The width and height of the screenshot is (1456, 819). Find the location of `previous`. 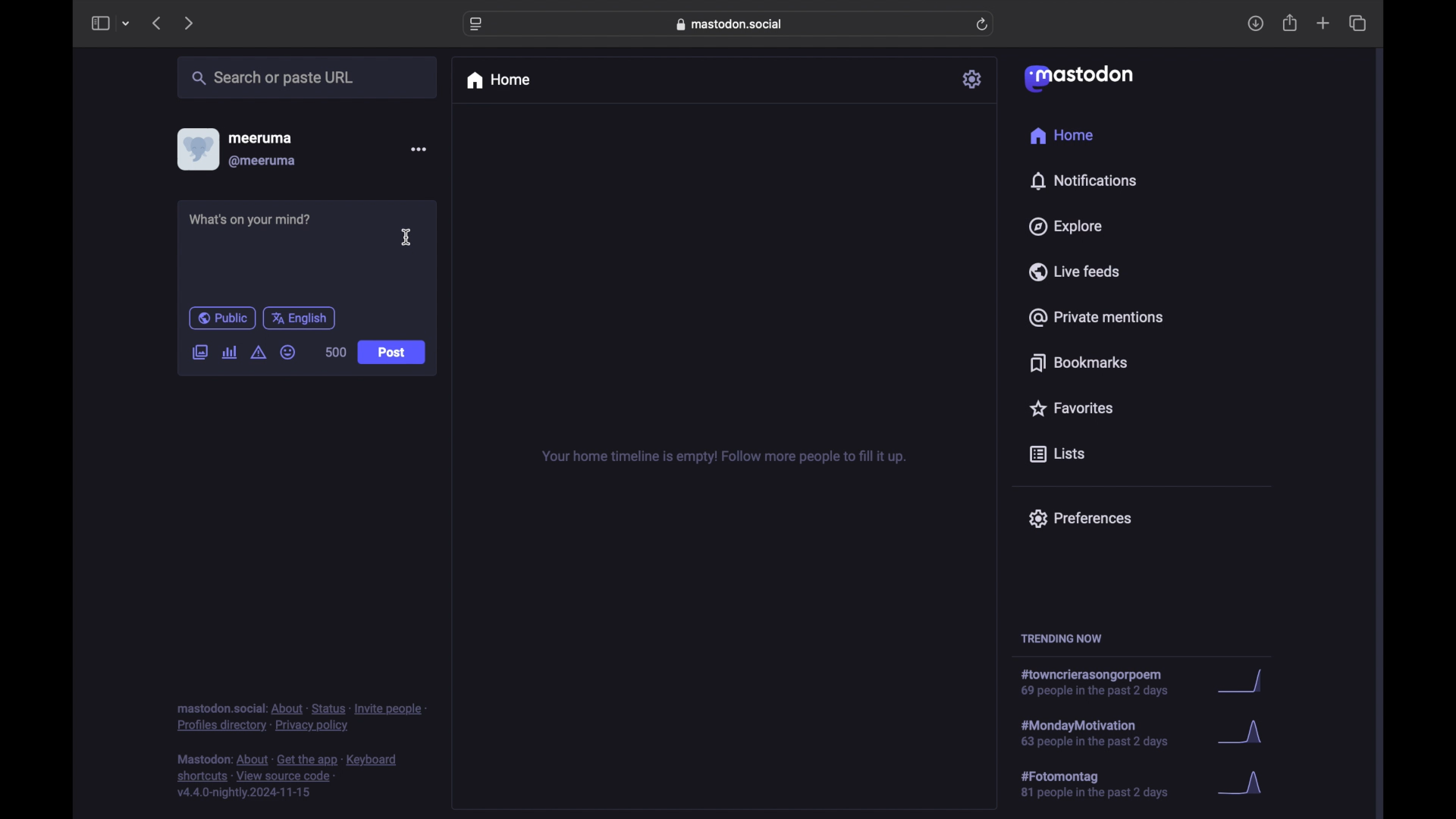

previous is located at coordinates (156, 23).